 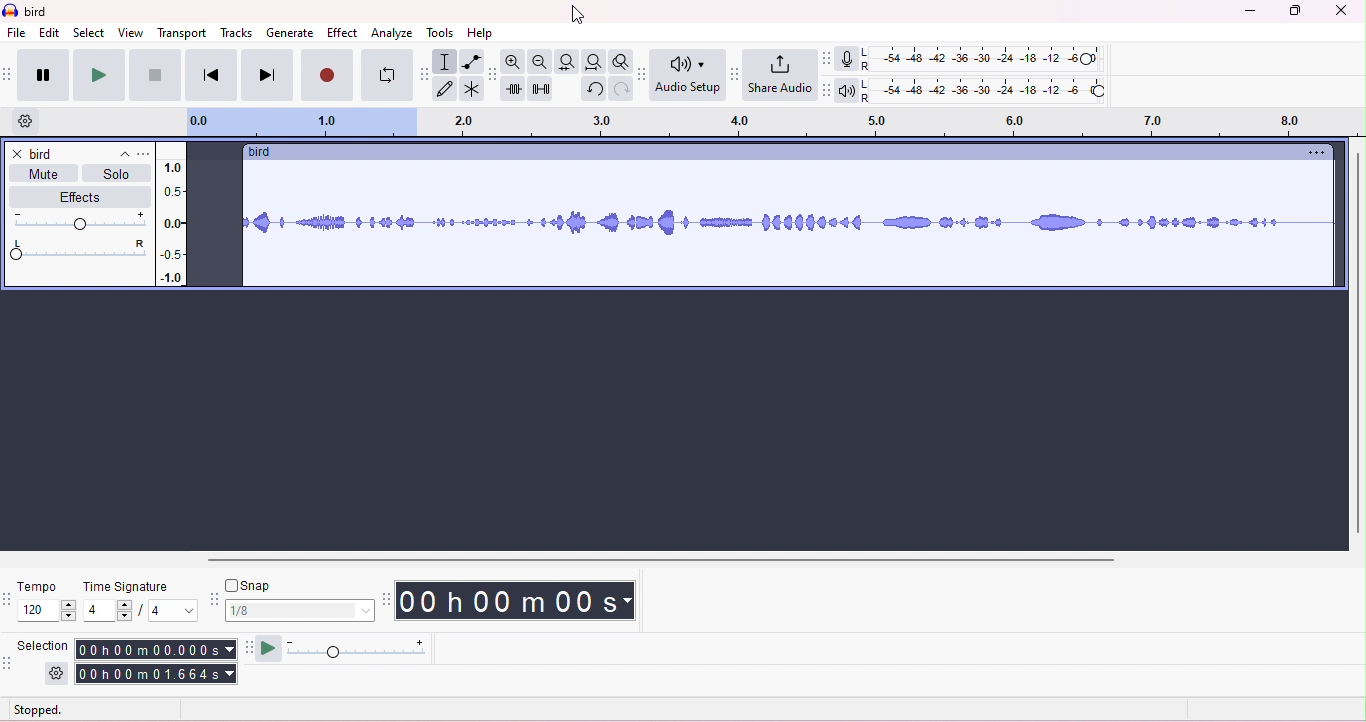 What do you see at coordinates (541, 62) in the screenshot?
I see `zoom in` at bounding box center [541, 62].